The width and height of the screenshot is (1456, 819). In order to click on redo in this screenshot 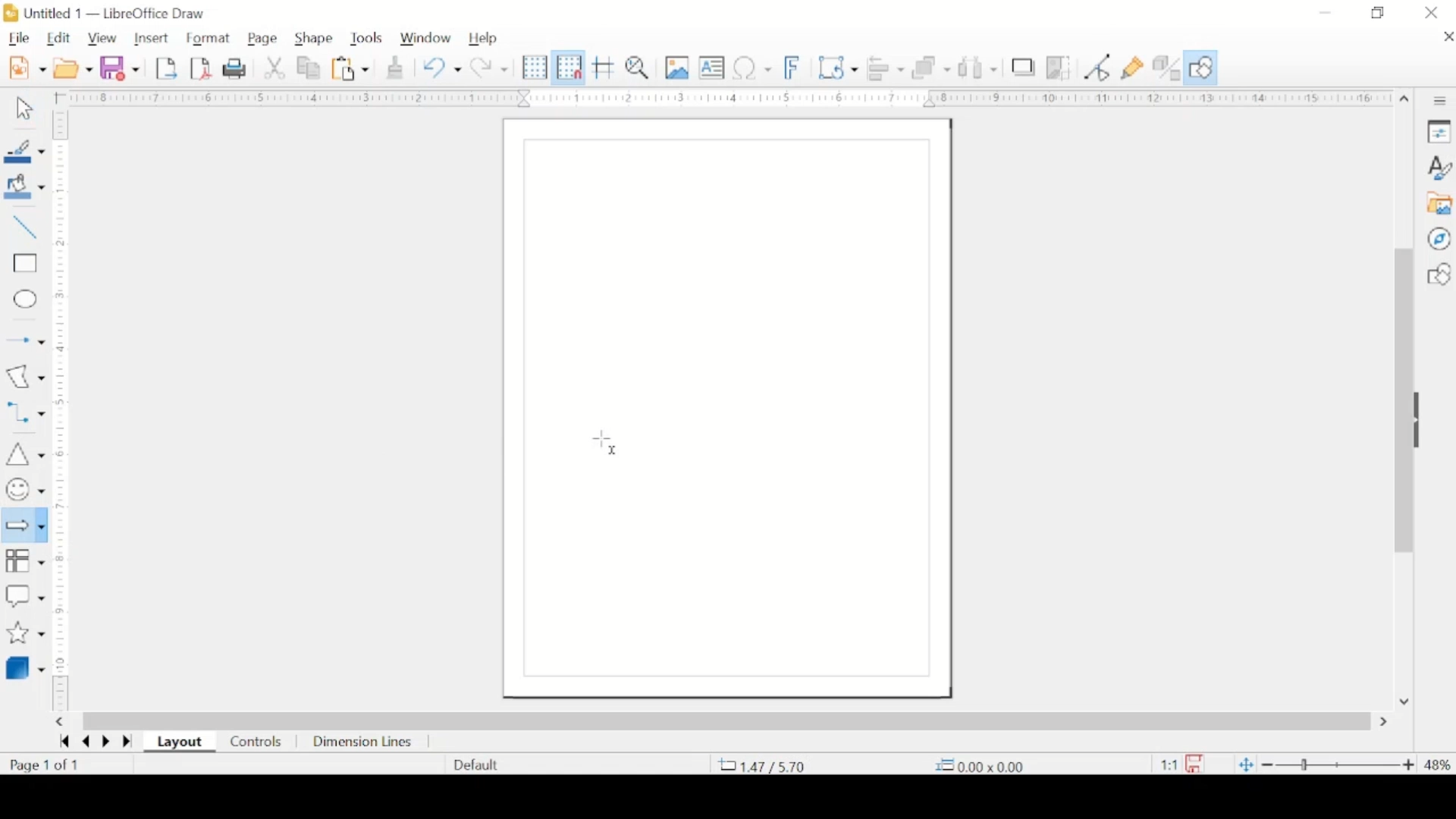, I will do `click(489, 67)`.